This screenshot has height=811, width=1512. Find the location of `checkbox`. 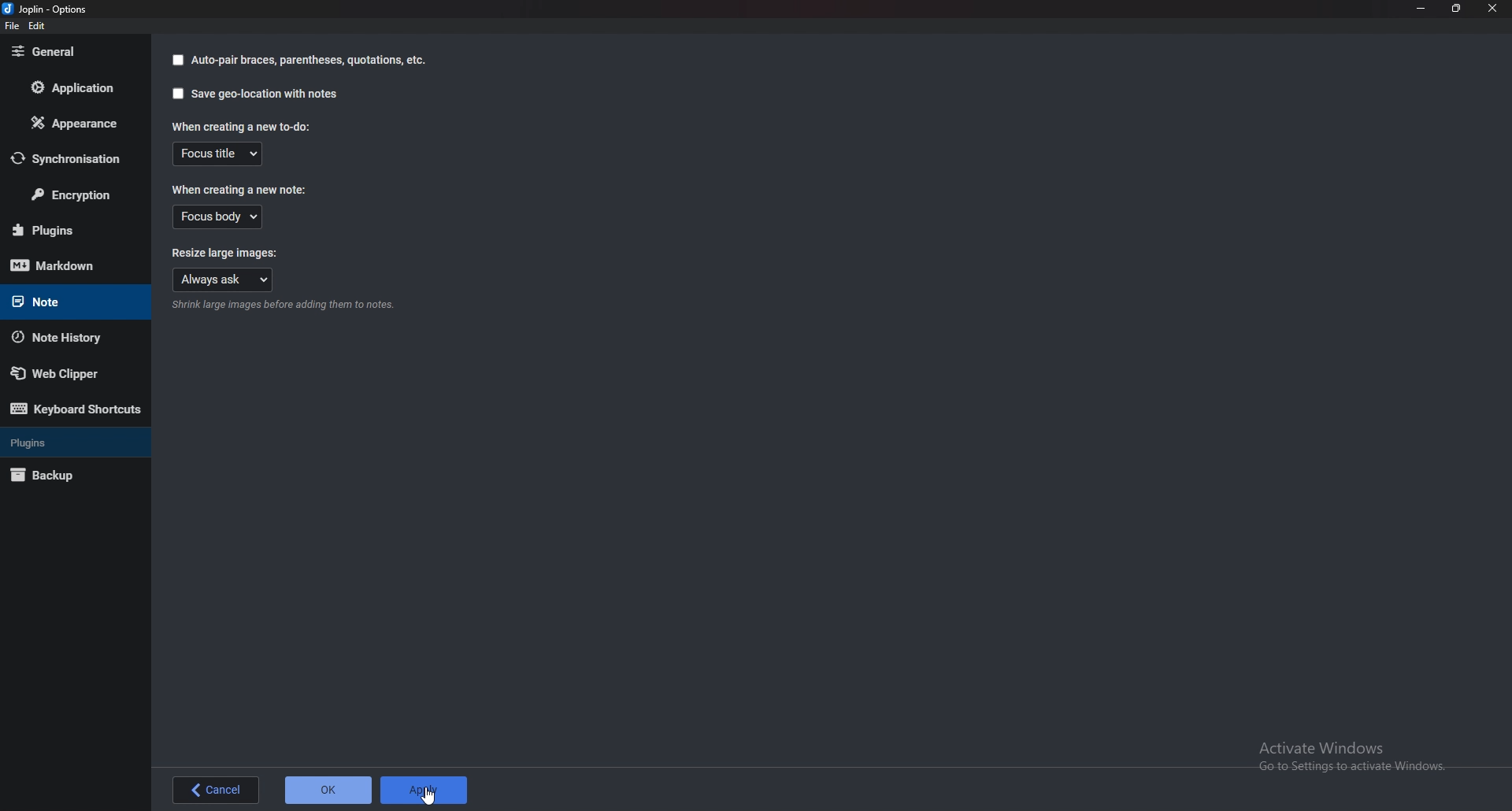

checkbox is located at coordinates (175, 60).